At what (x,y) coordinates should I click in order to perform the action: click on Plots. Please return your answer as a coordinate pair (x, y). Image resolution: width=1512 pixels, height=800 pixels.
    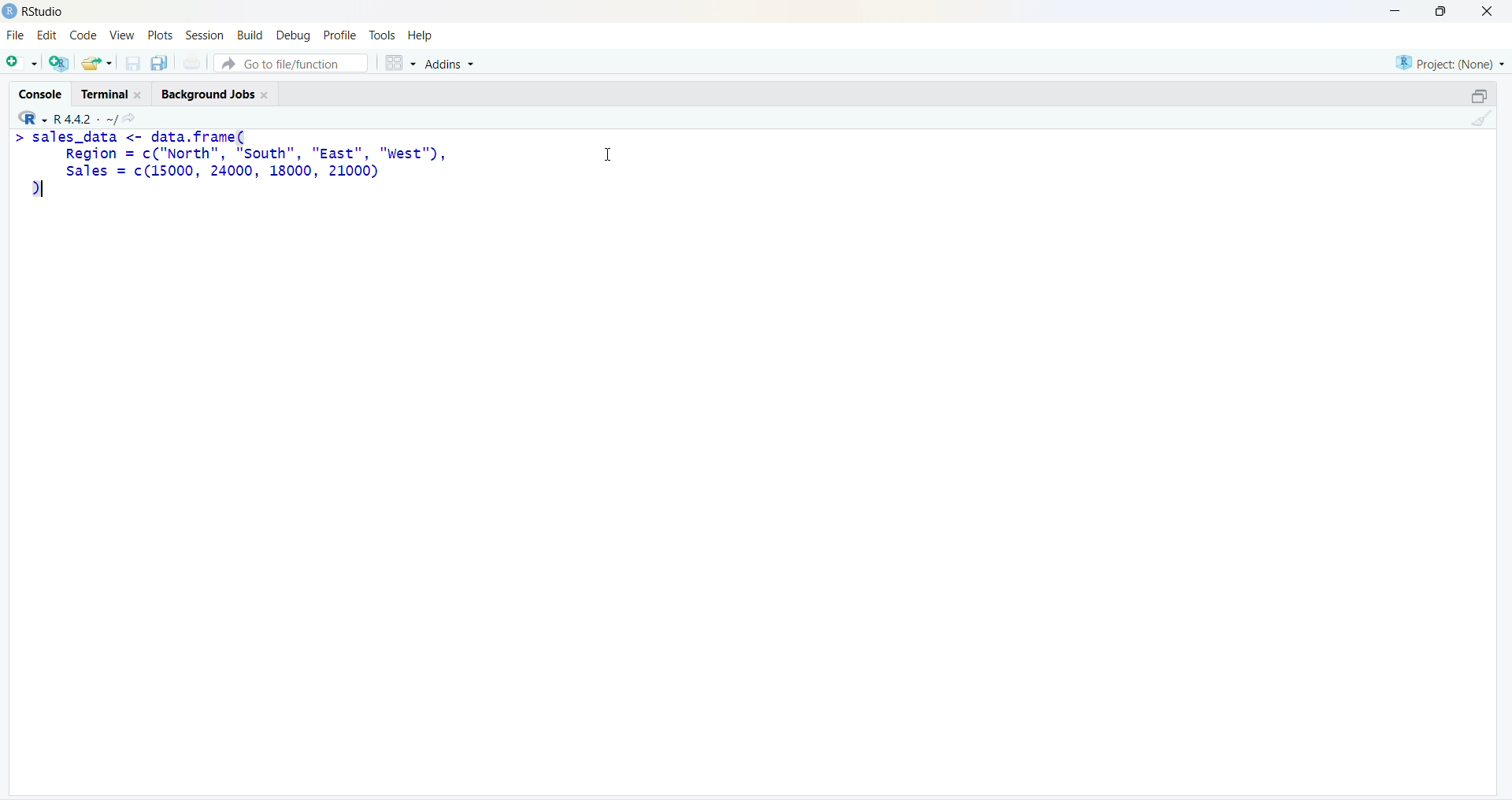
    Looking at the image, I should click on (160, 33).